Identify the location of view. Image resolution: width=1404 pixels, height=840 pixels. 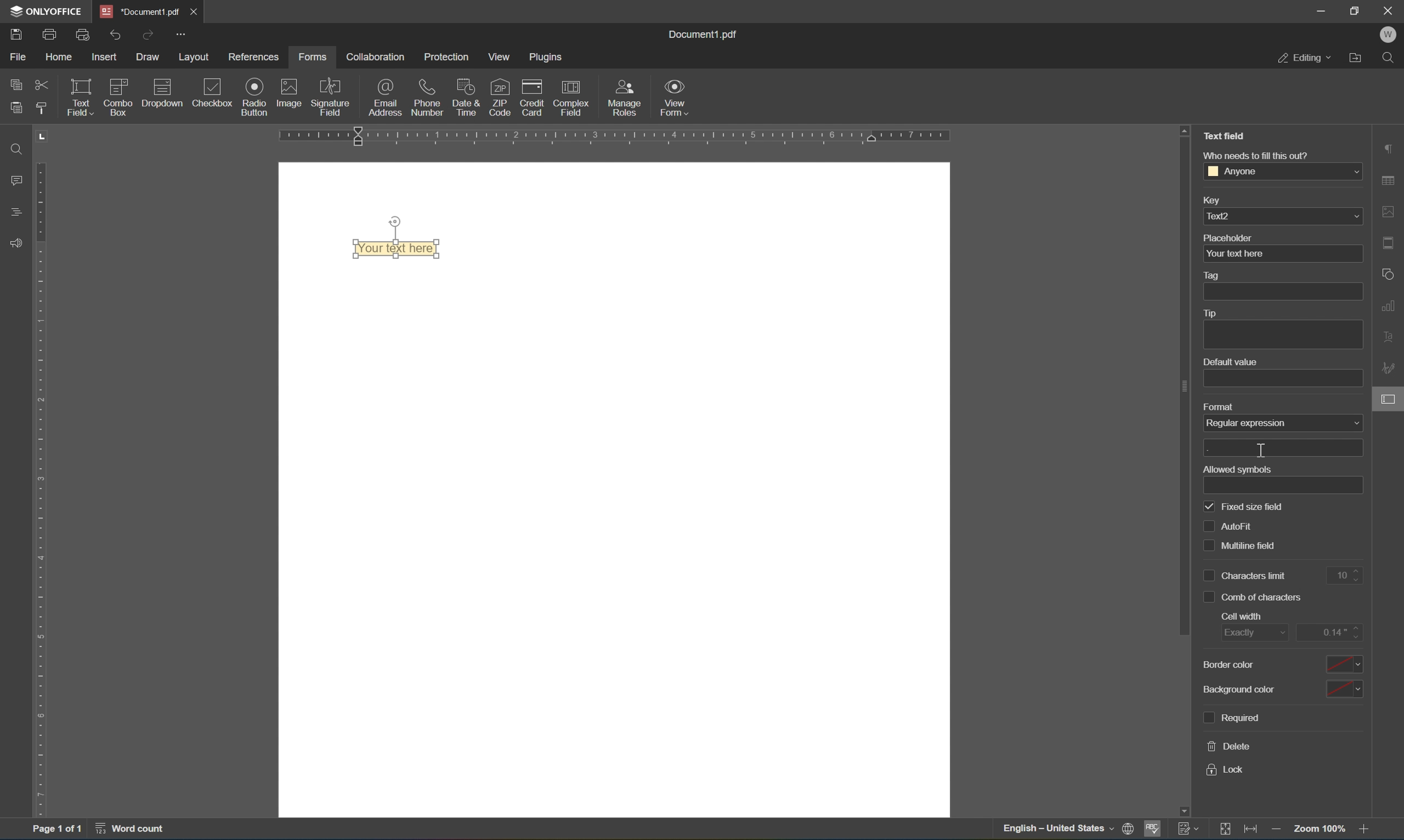
(499, 55).